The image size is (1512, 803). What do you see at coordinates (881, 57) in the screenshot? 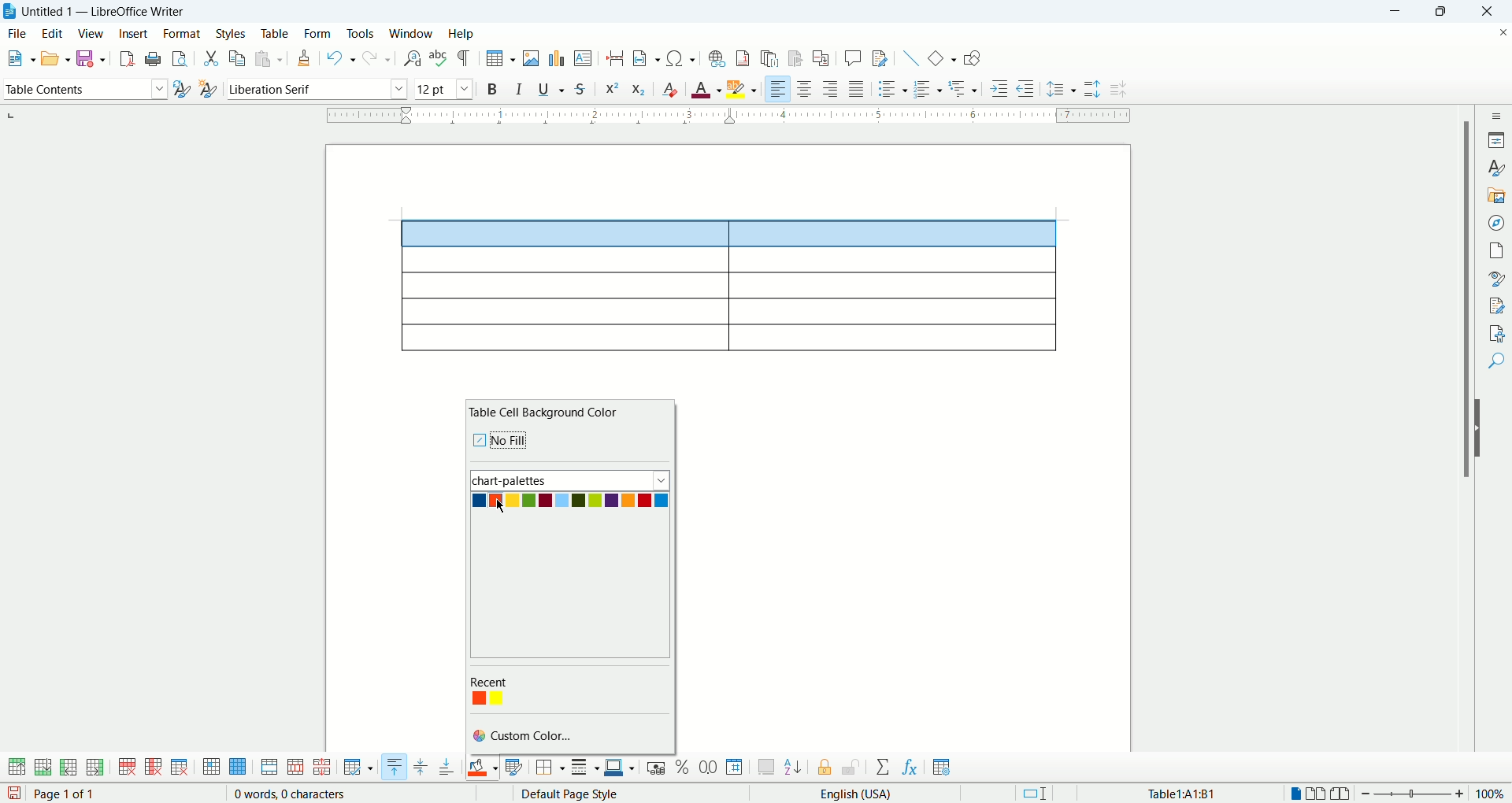
I see `track changes` at bounding box center [881, 57].